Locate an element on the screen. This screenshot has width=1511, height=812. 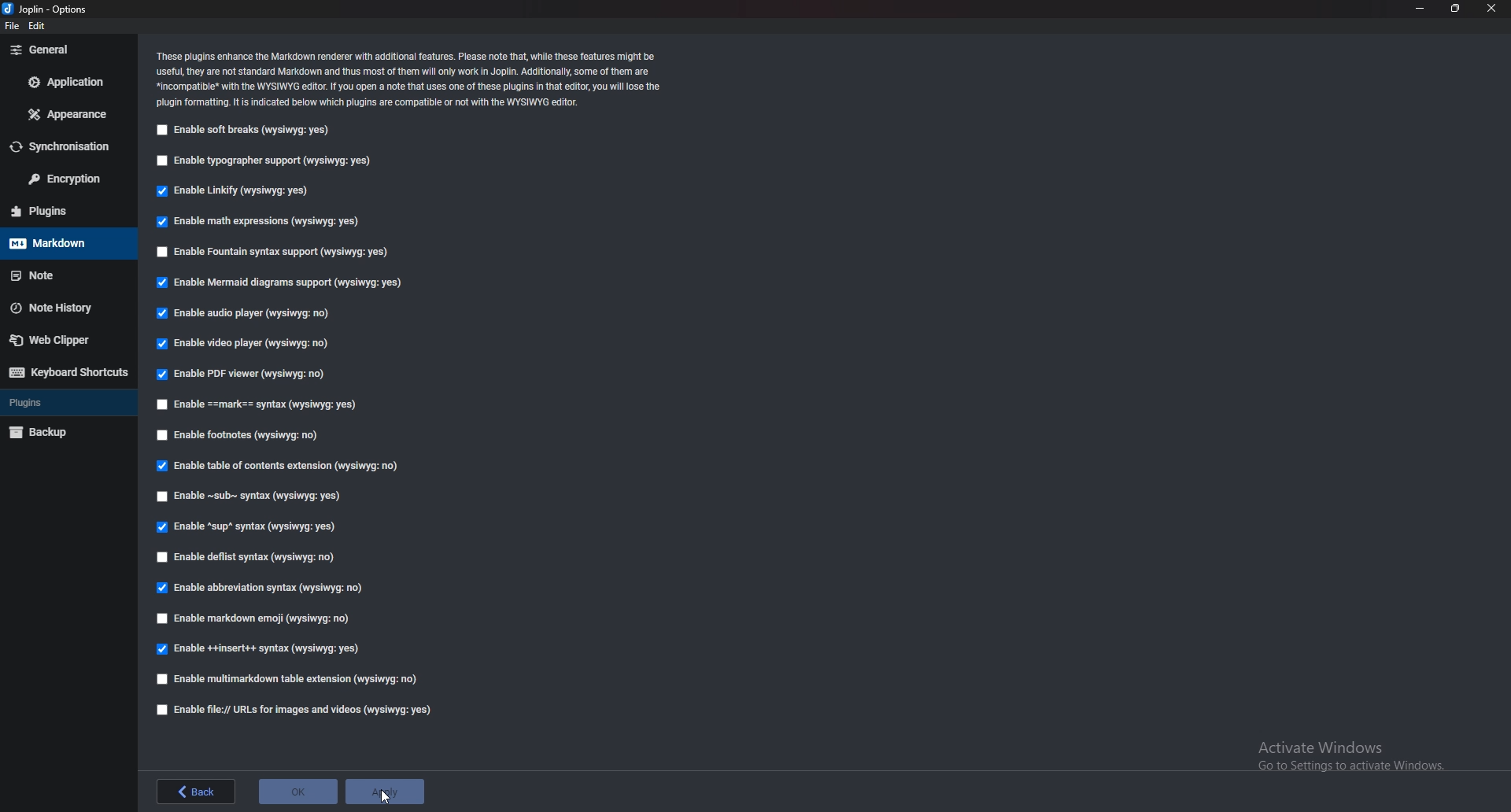
Encryption is located at coordinates (65, 179).